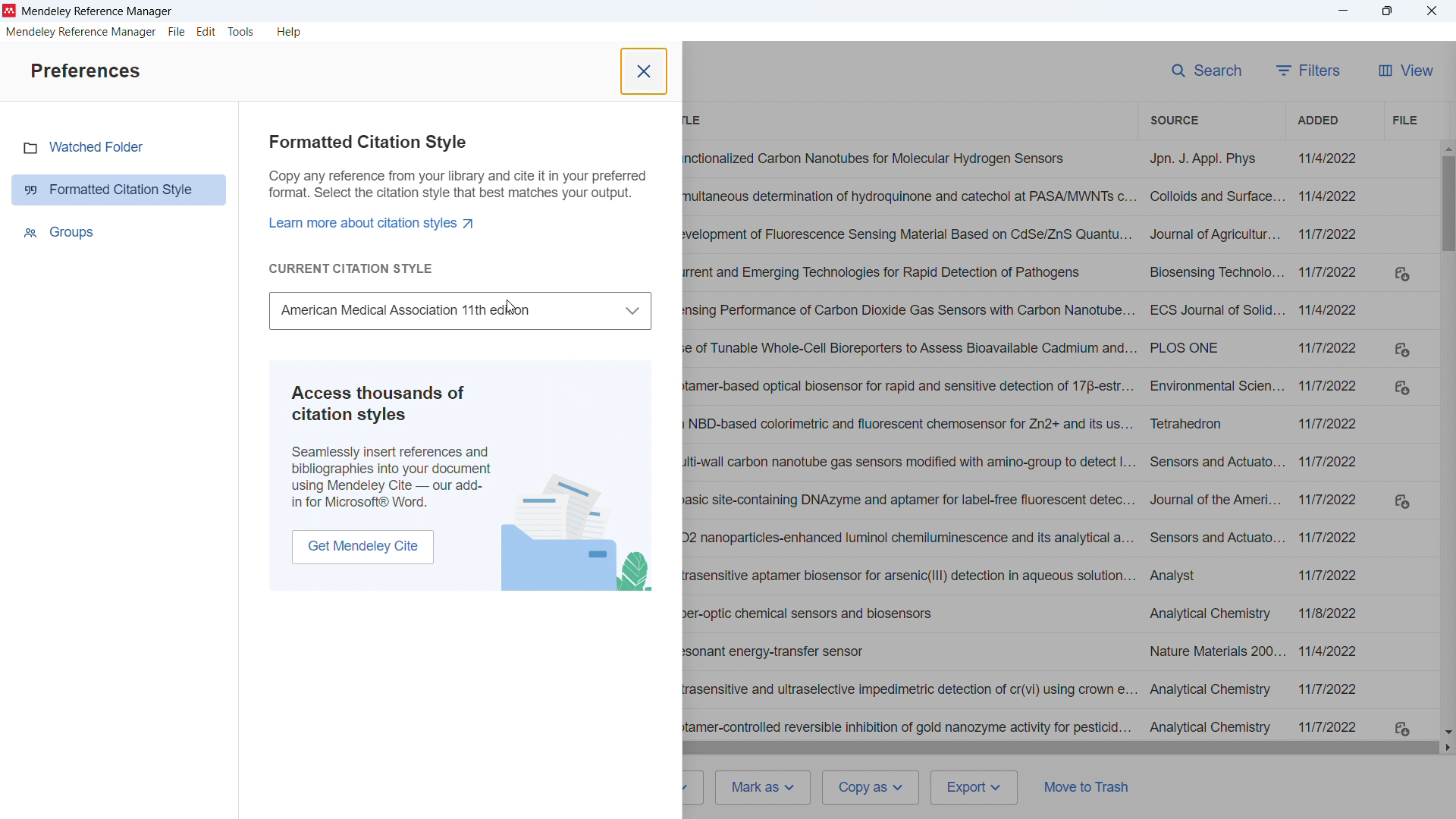 The height and width of the screenshot is (819, 1456). Describe the element at coordinates (121, 190) in the screenshot. I see `Formatted citation style ` at that location.